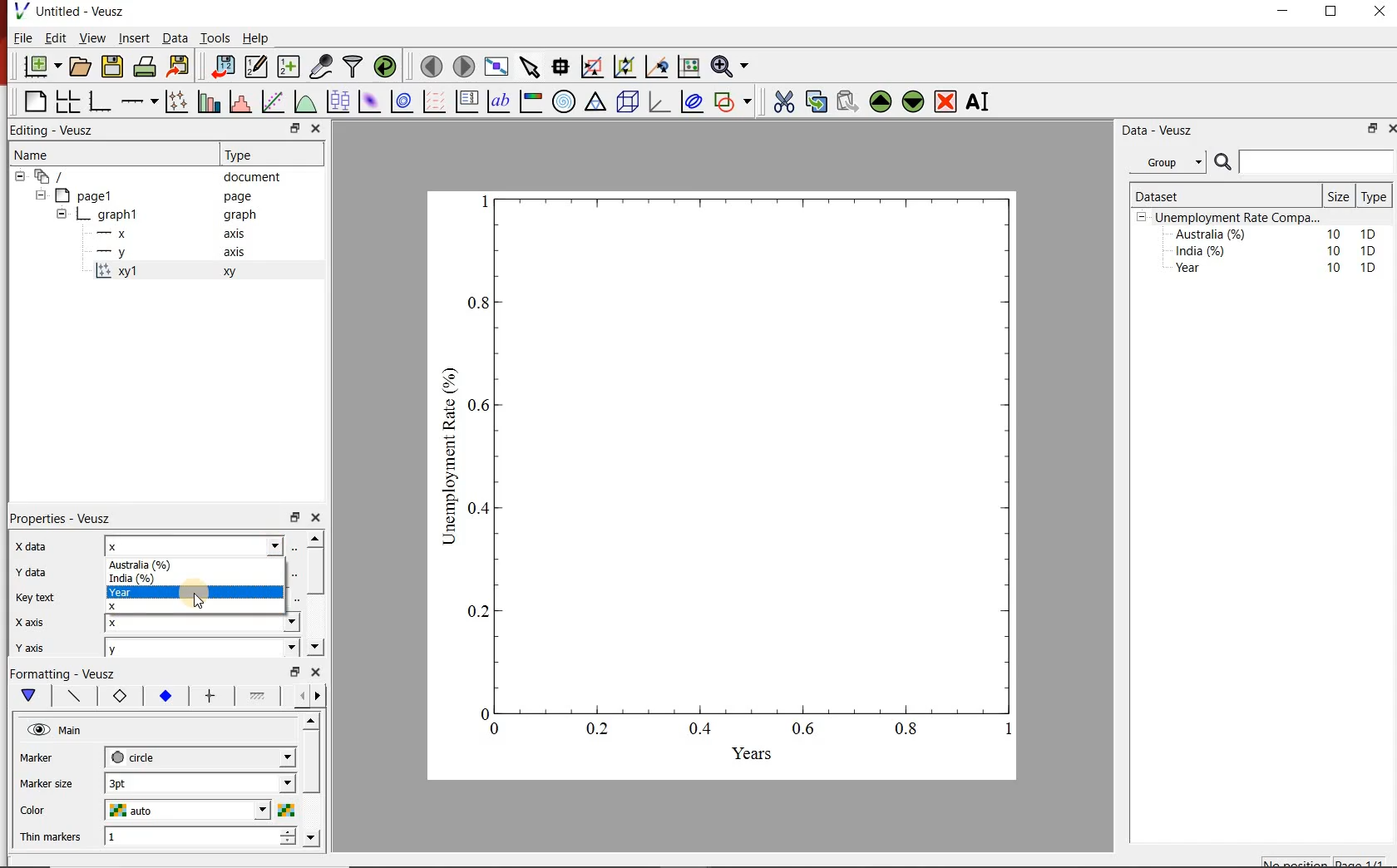  Describe the element at coordinates (76, 697) in the screenshot. I see `plot line` at that location.